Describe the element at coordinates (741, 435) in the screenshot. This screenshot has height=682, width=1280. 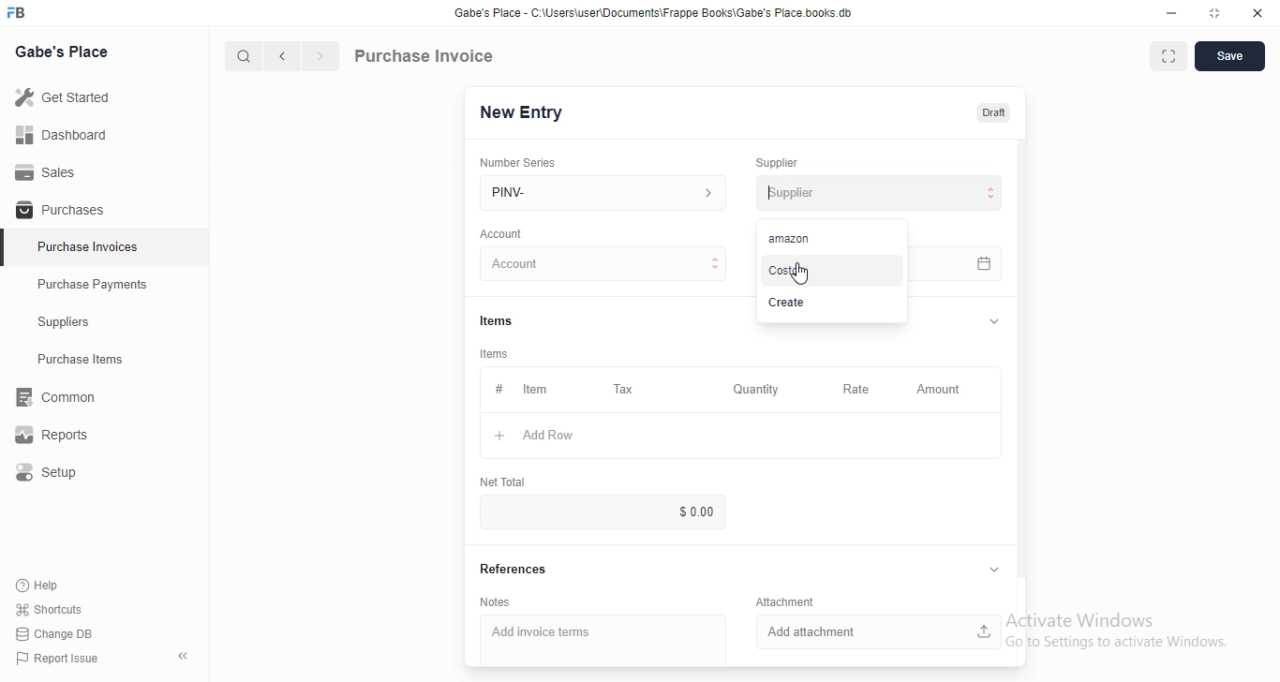
I see `Add Row` at that location.